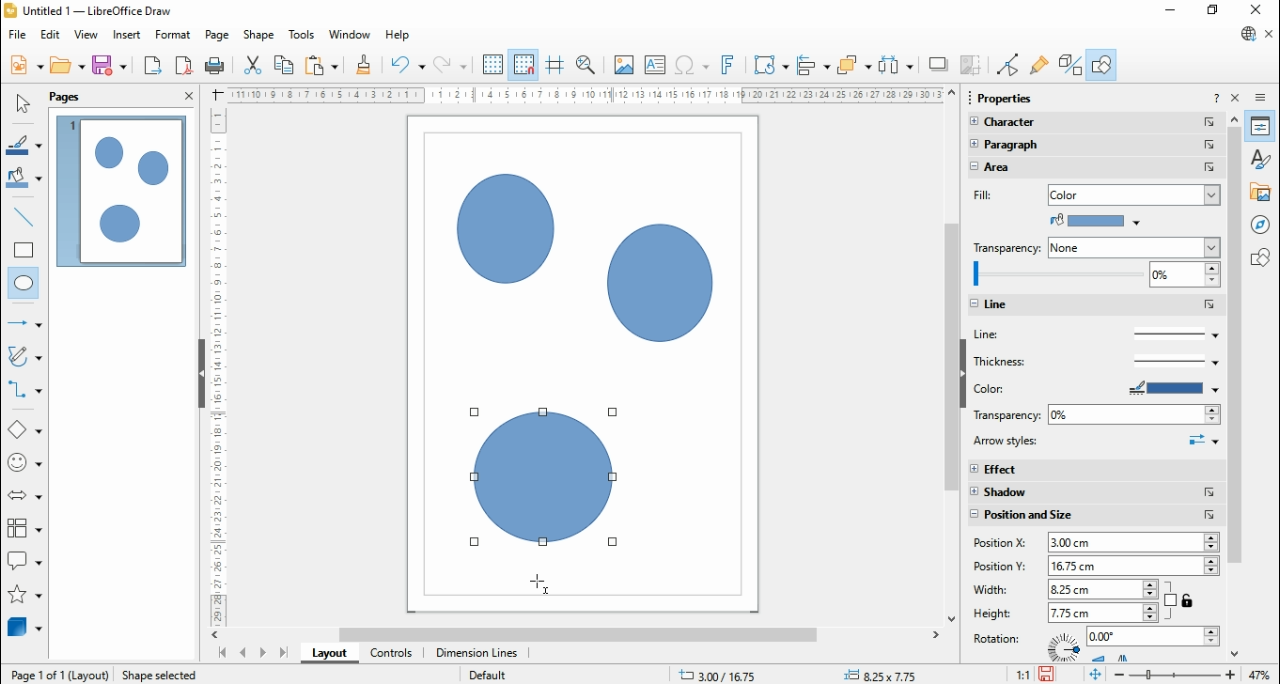  I want to click on restore, so click(1214, 11).